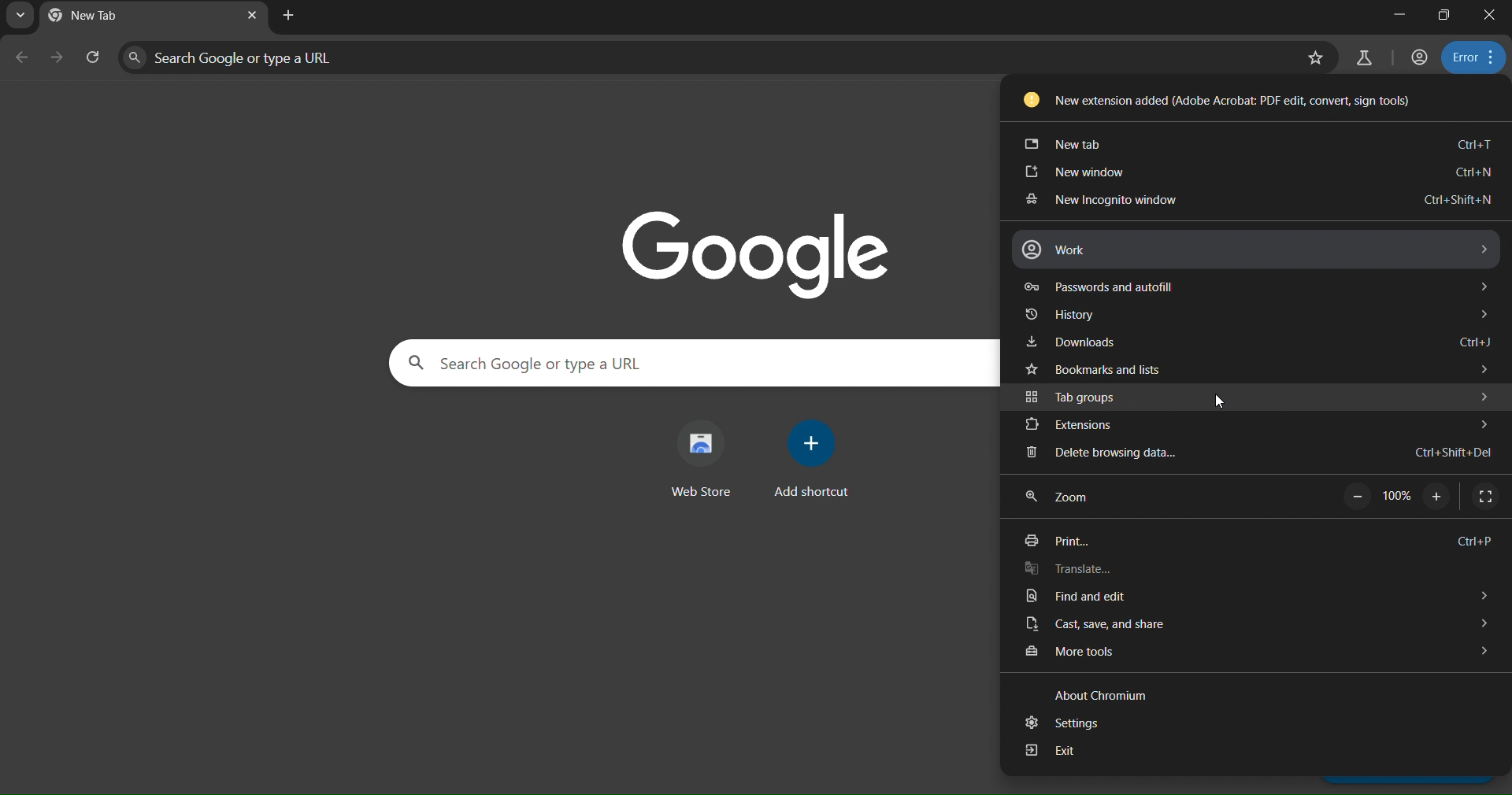  What do you see at coordinates (1262, 140) in the screenshot?
I see `new tab` at bounding box center [1262, 140].